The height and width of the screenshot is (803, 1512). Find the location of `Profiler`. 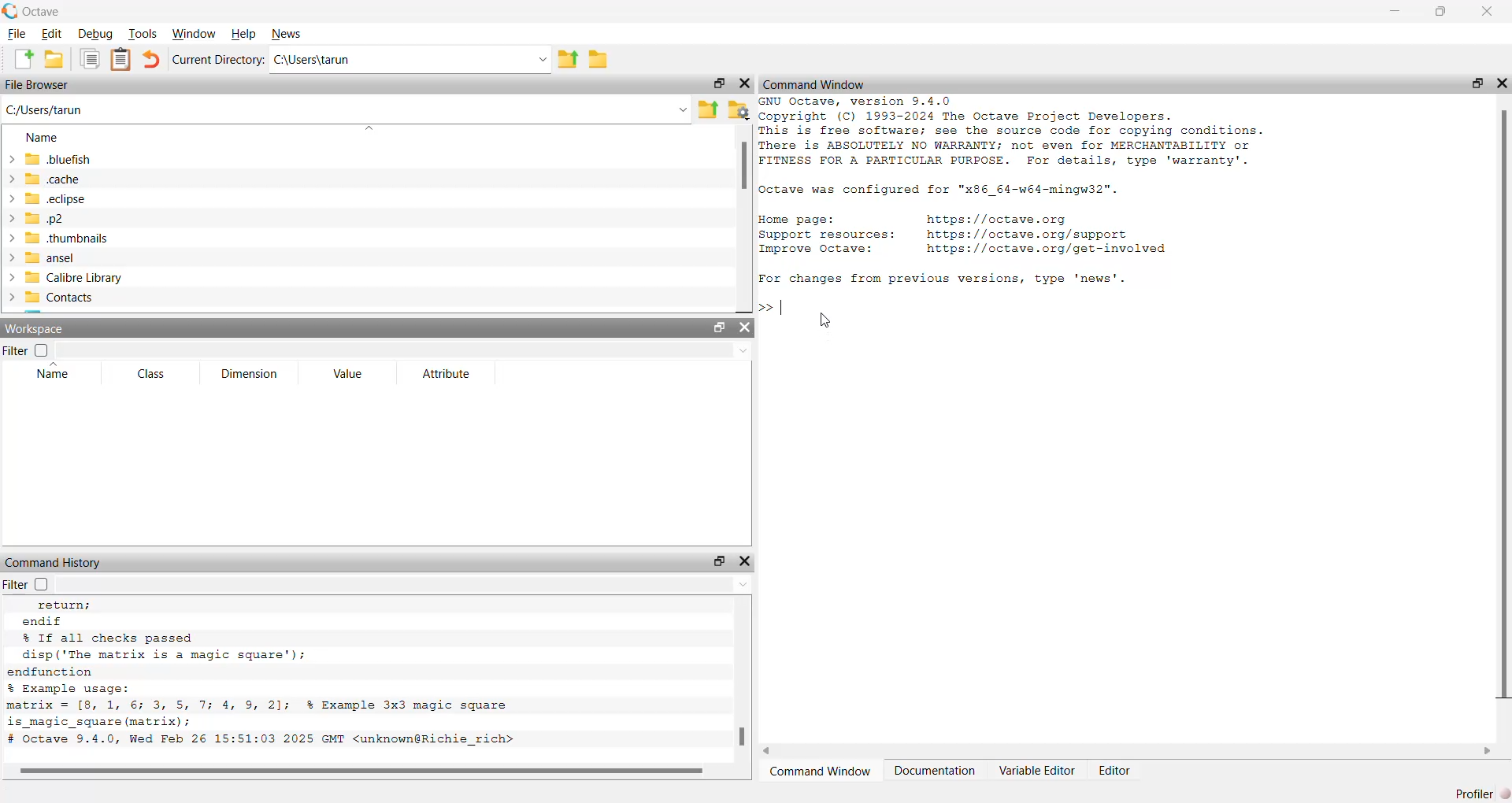

Profiler is located at coordinates (1484, 793).